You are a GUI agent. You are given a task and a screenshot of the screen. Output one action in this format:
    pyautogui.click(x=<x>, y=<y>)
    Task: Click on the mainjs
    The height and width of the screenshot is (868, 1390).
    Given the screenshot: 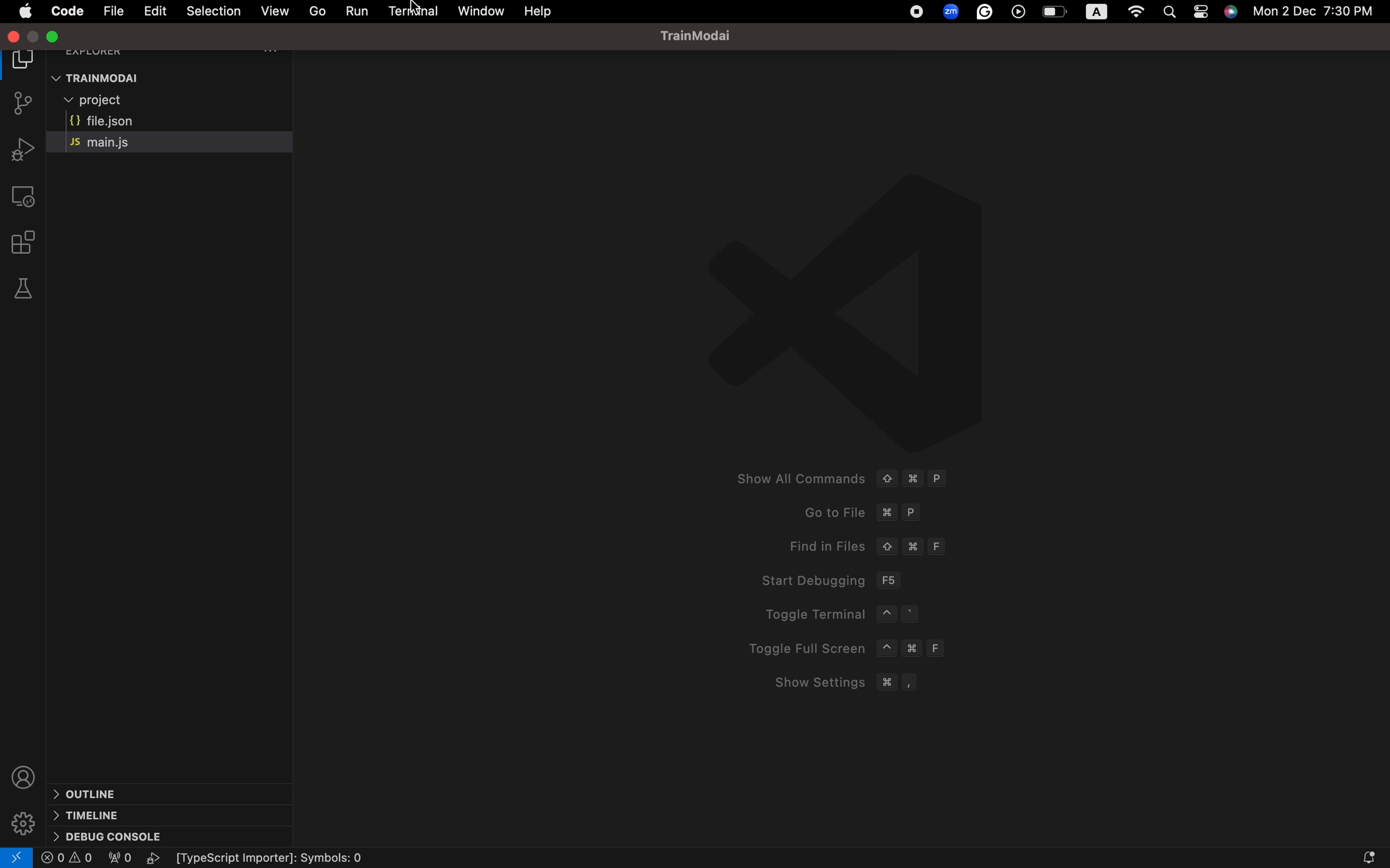 What is the action you would take?
    pyautogui.click(x=117, y=142)
    